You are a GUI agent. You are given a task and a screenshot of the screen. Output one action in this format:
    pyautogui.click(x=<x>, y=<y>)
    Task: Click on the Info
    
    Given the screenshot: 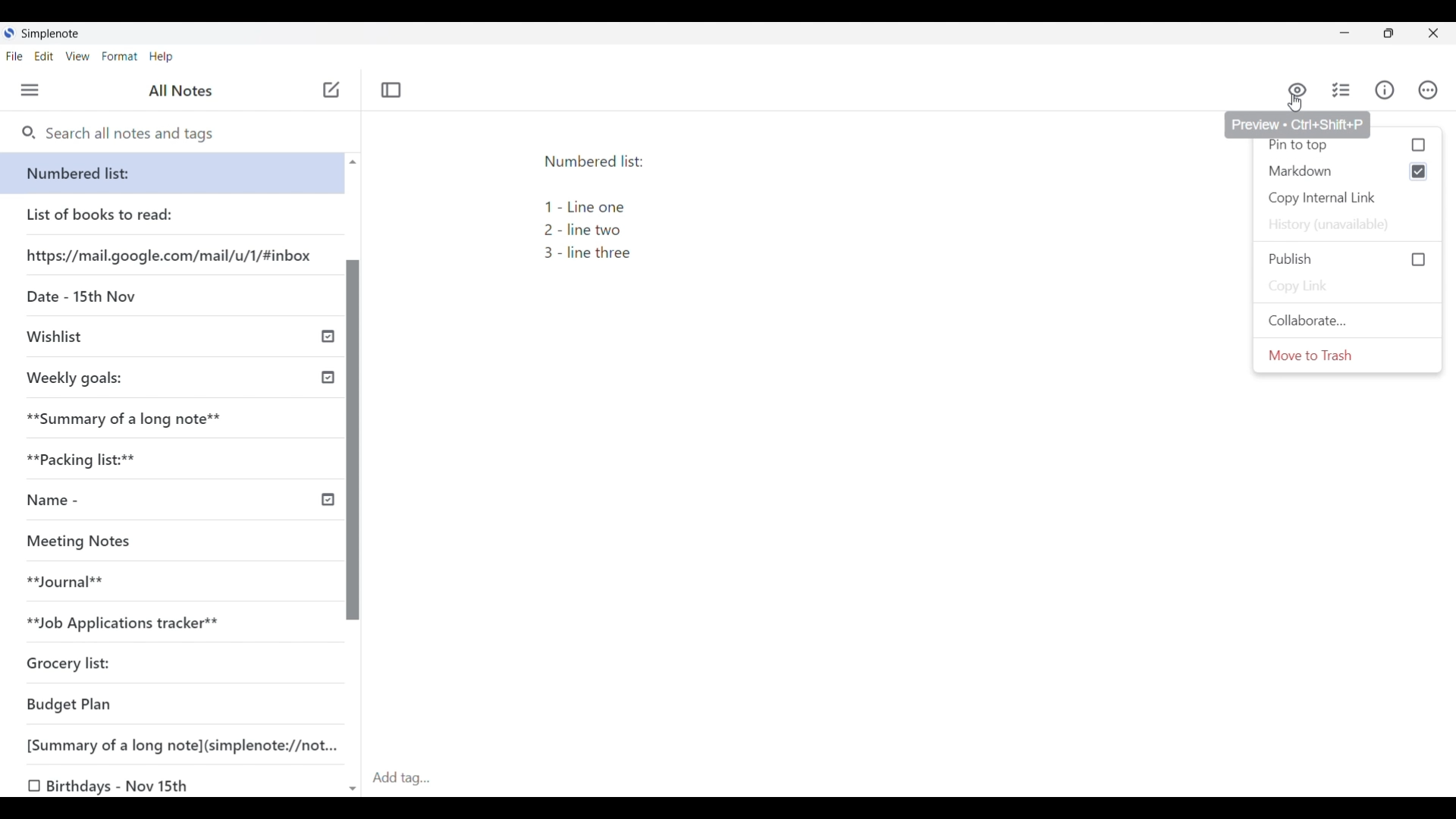 What is the action you would take?
    pyautogui.click(x=1385, y=90)
    